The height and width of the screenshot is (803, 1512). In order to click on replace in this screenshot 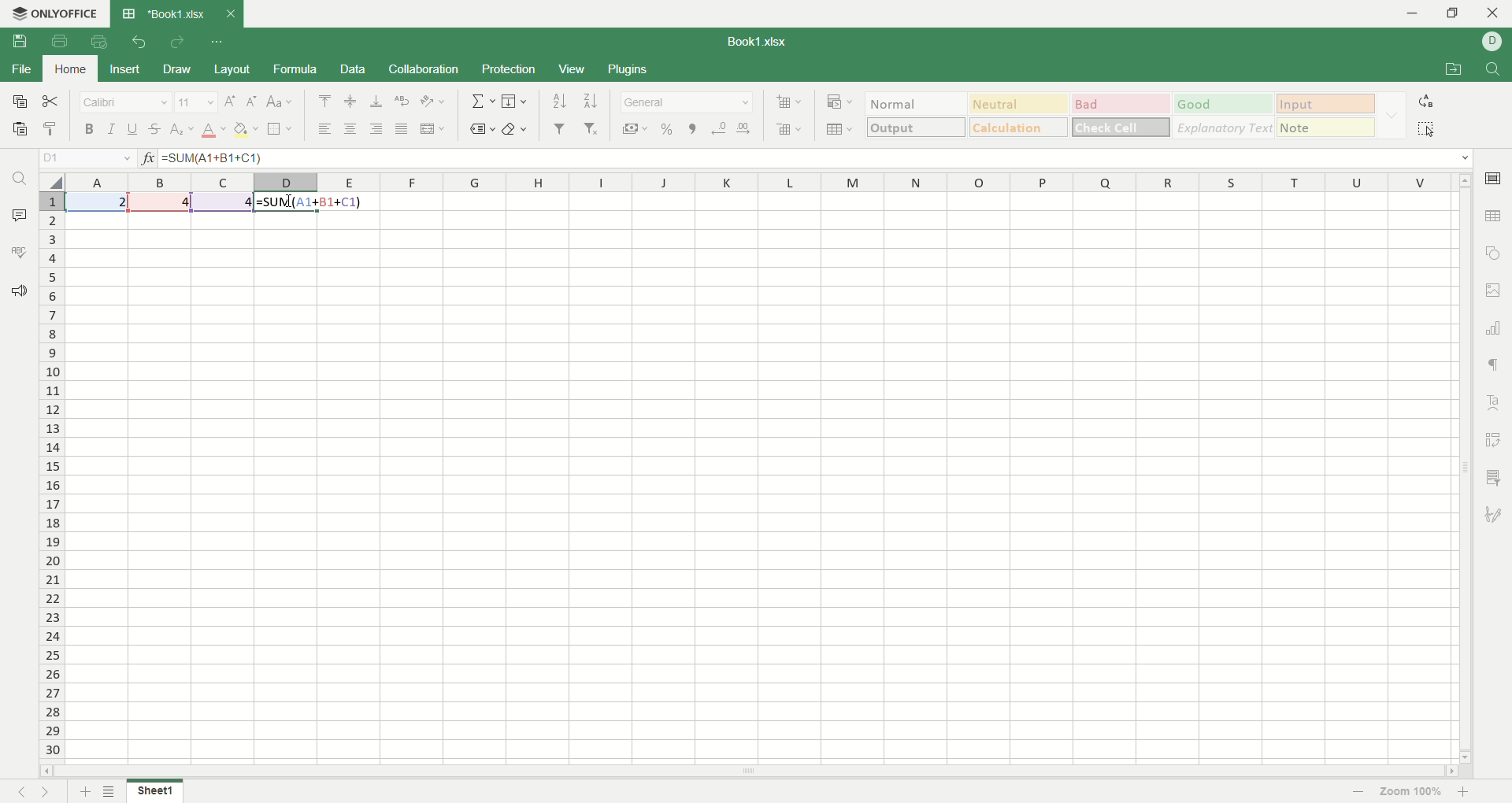, I will do `click(1425, 102)`.